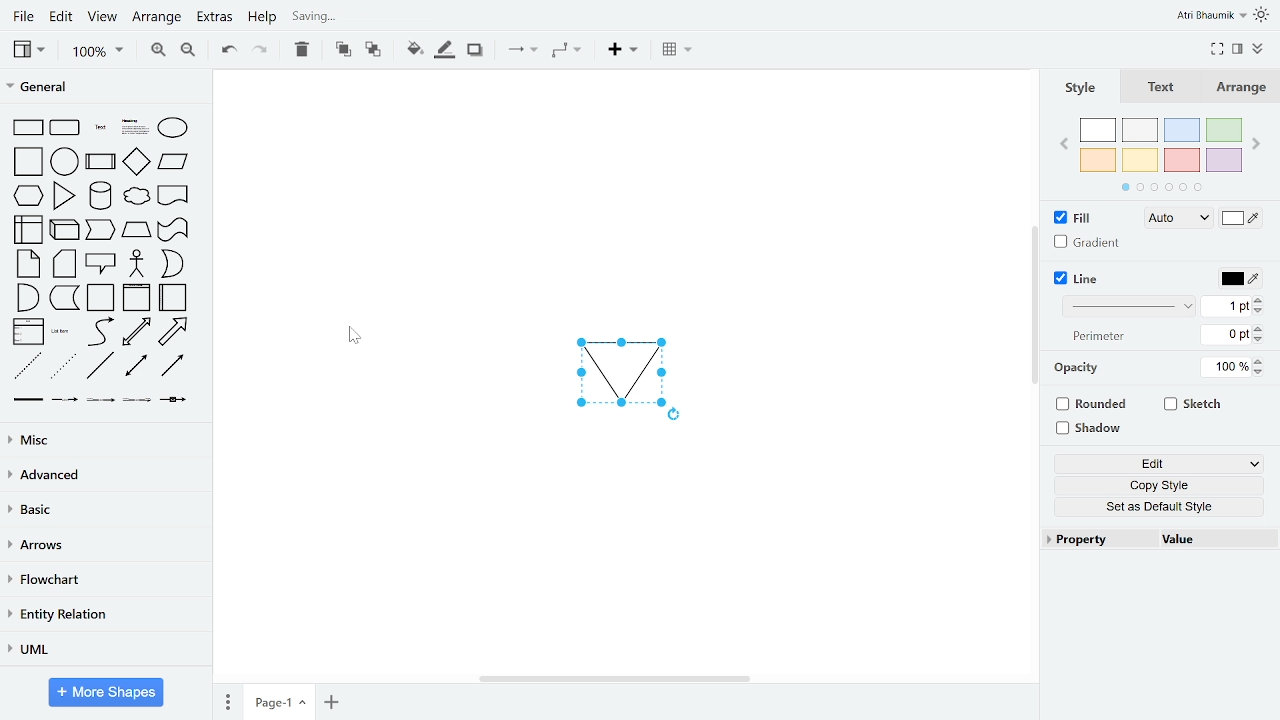 The width and height of the screenshot is (1280, 720). Describe the element at coordinates (174, 127) in the screenshot. I see `ellipse` at that location.